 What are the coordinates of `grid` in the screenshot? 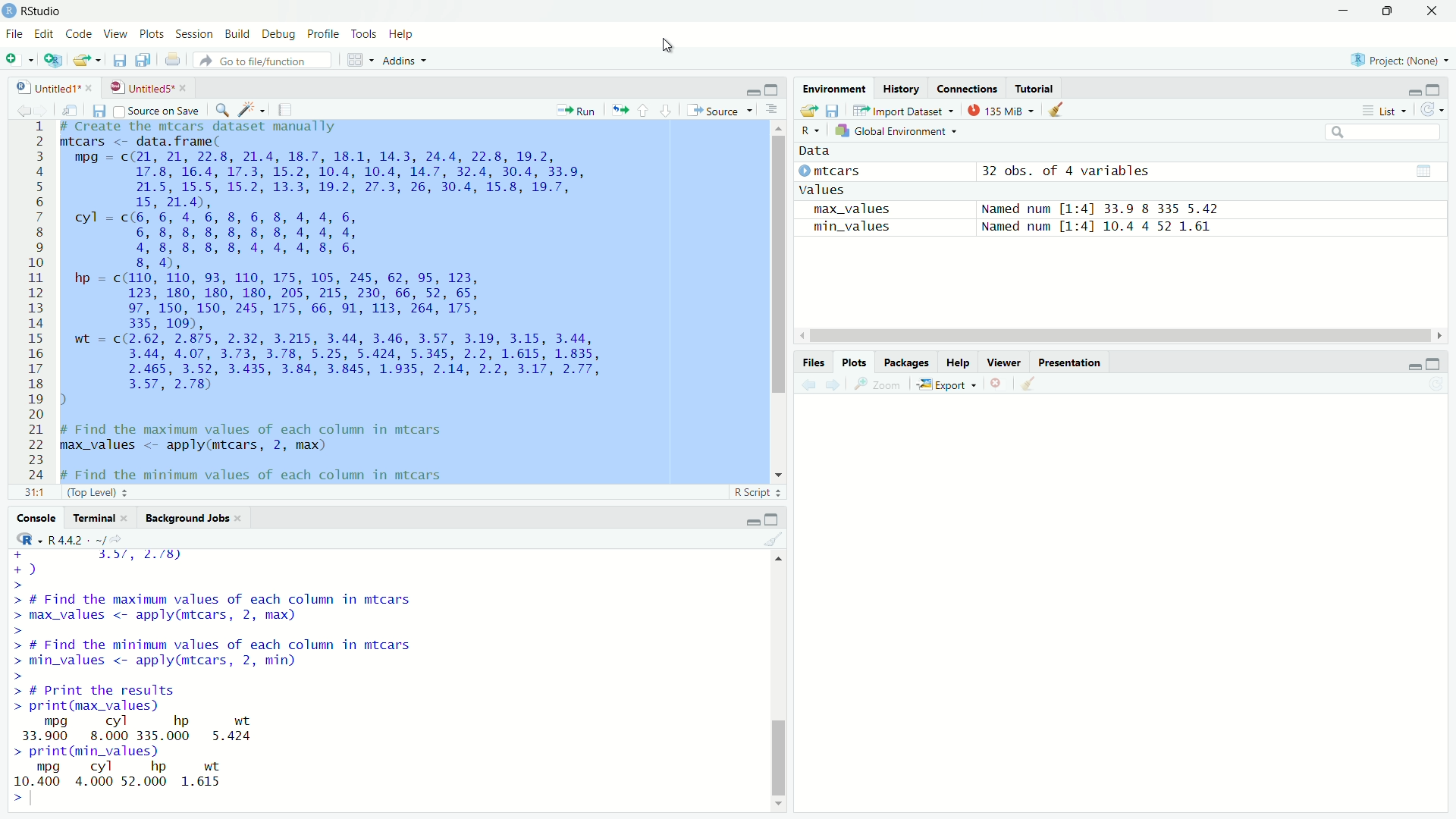 It's located at (350, 61).